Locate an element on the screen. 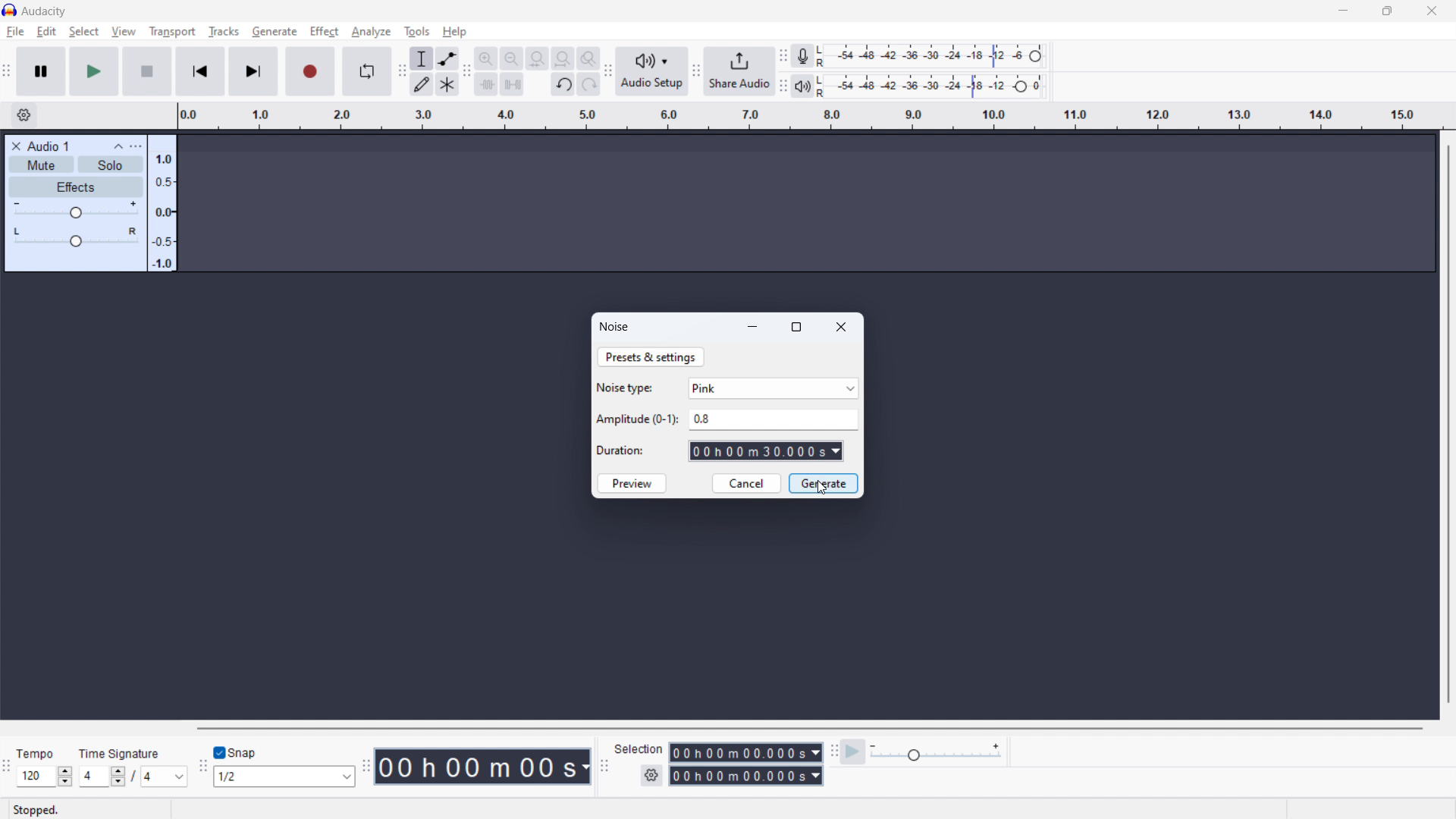  view is located at coordinates (124, 31).